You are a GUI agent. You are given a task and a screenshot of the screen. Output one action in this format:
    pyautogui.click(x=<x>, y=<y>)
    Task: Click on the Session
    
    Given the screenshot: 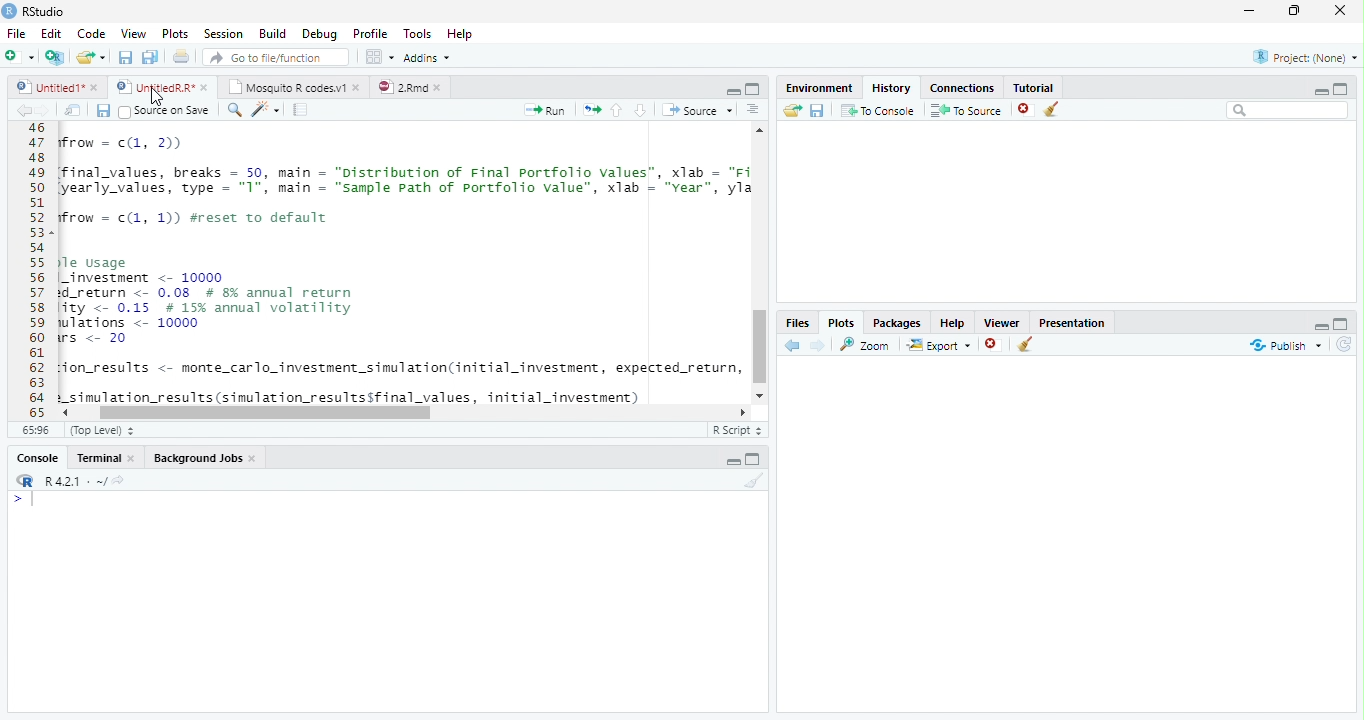 What is the action you would take?
    pyautogui.click(x=222, y=33)
    